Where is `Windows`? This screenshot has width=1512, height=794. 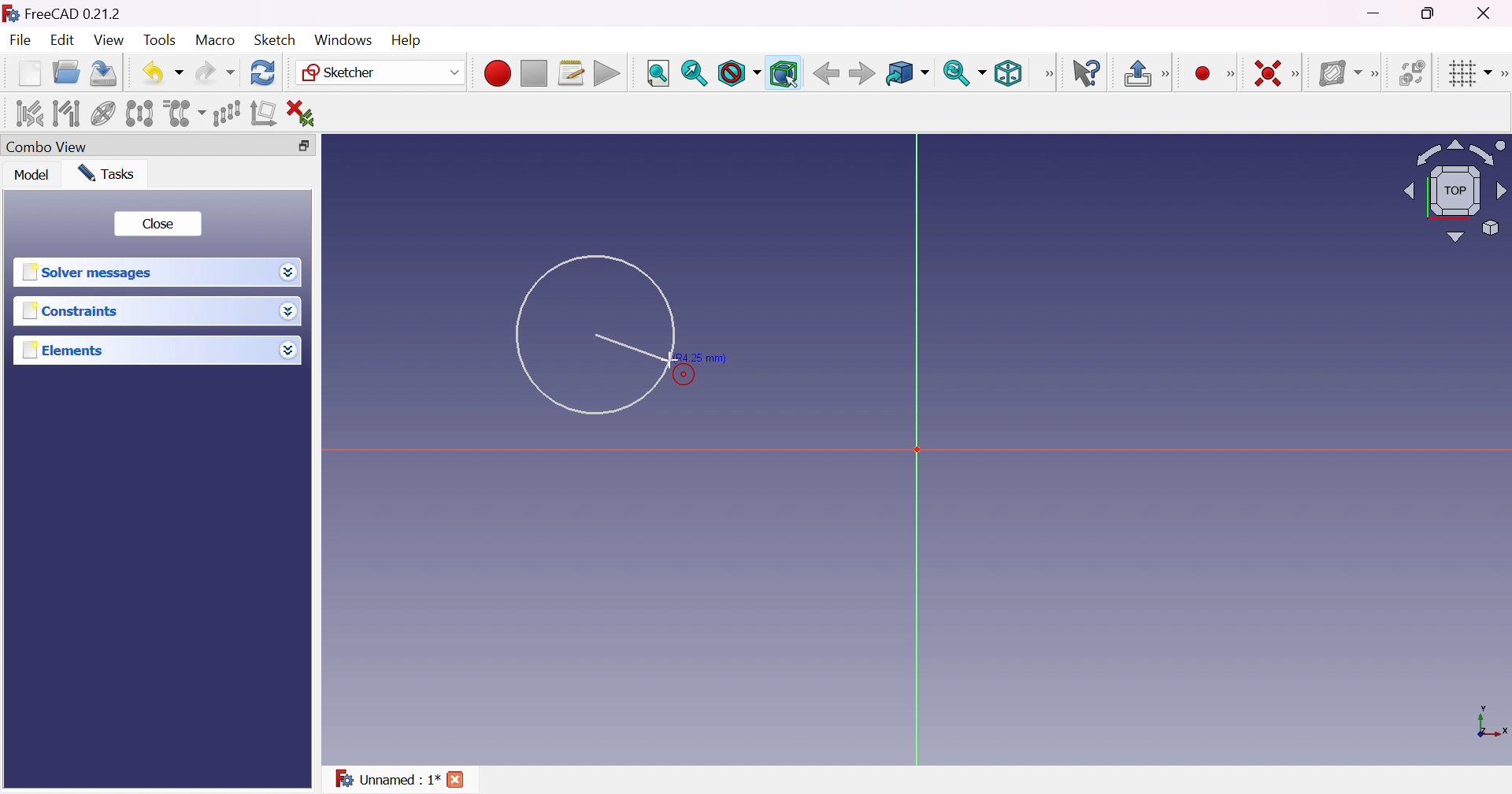
Windows is located at coordinates (343, 39).